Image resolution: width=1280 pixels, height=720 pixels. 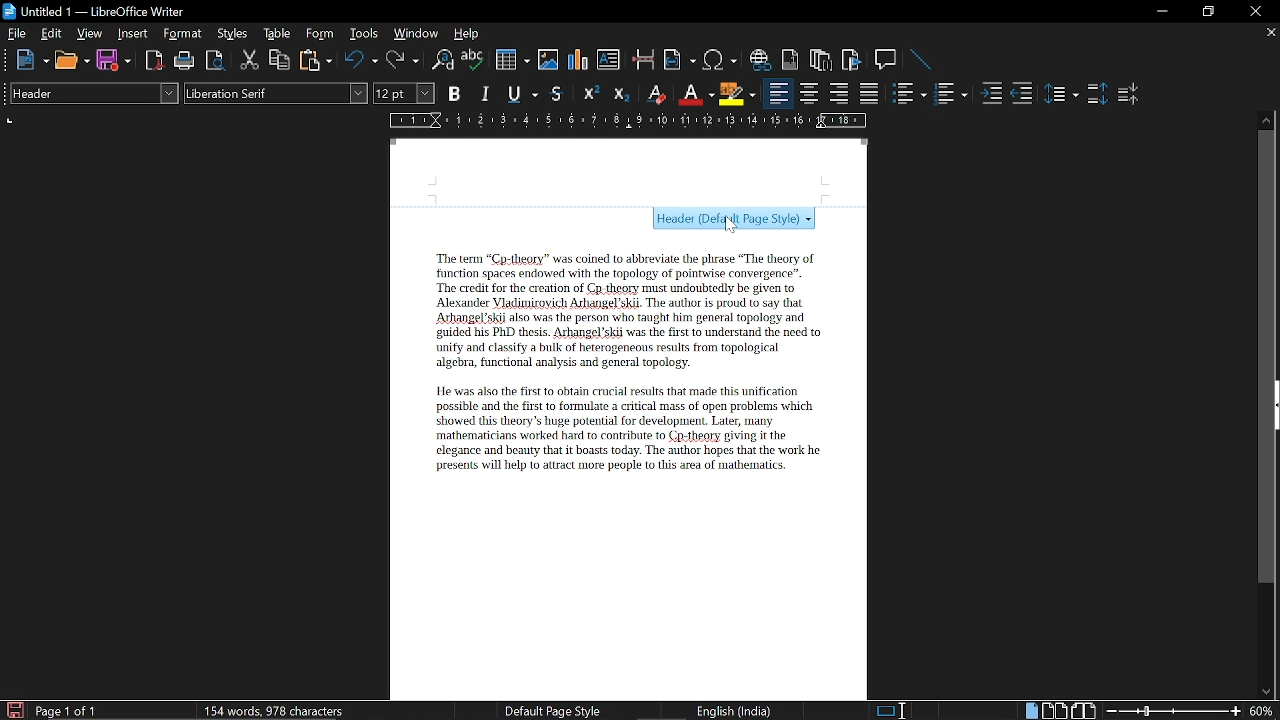 What do you see at coordinates (1162, 14) in the screenshot?
I see `Minimize` at bounding box center [1162, 14].